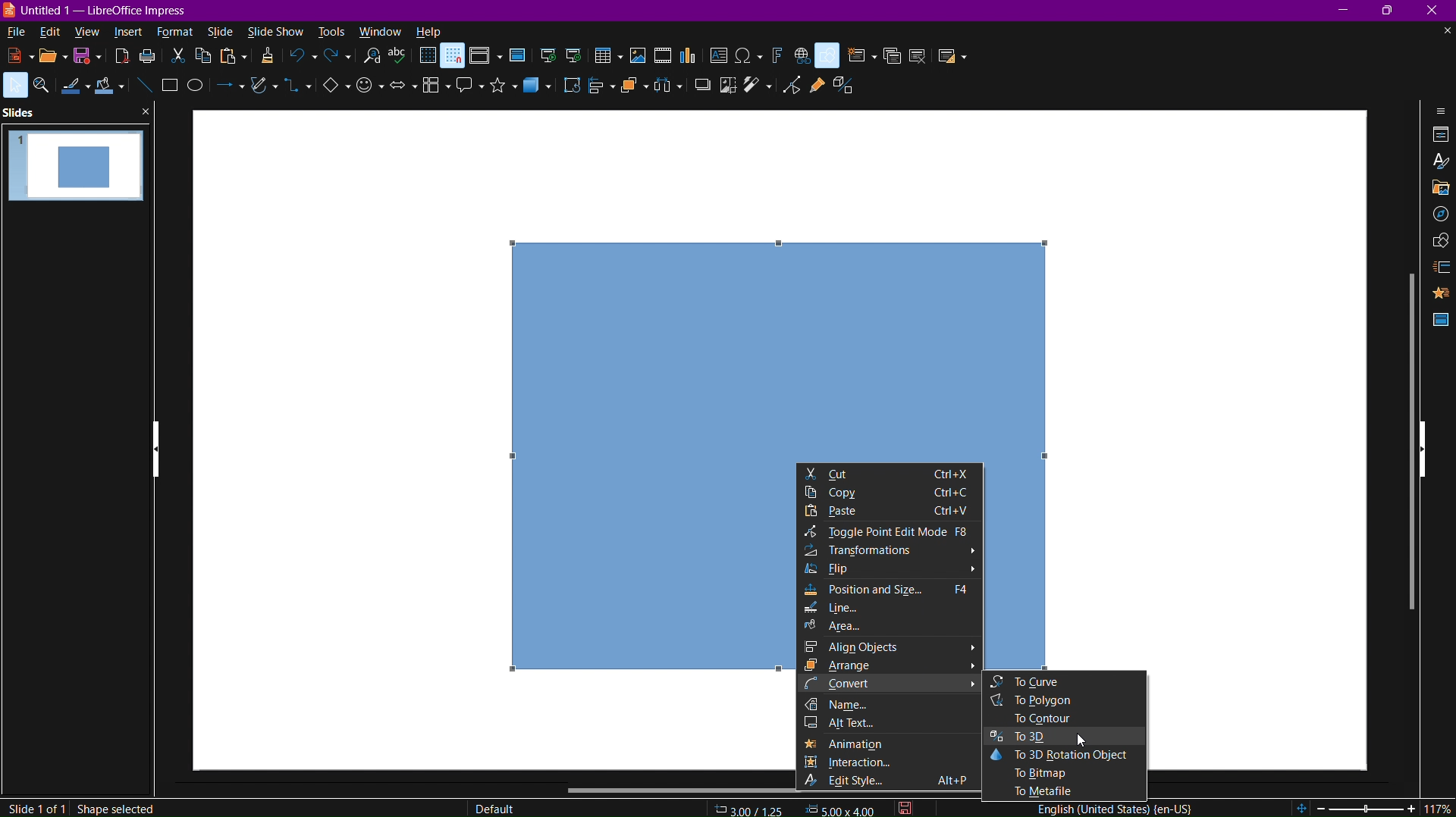 The width and height of the screenshot is (1456, 817). What do you see at coordinates (891, 725) in the screenshot?
I see `Alt Text` at bounding box center [891, 725].